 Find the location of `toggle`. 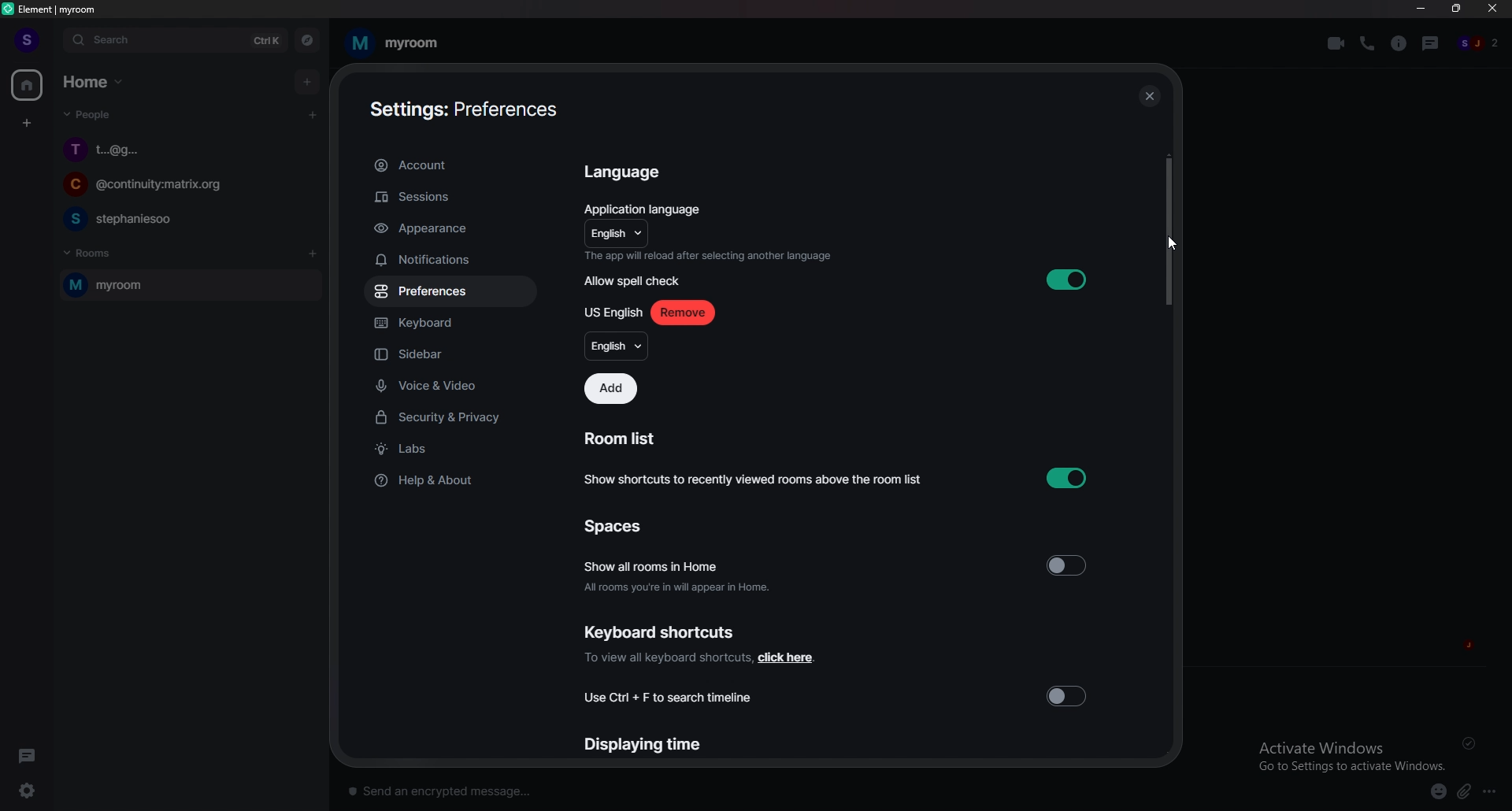

toggle is located at coordinates (1068, 694).